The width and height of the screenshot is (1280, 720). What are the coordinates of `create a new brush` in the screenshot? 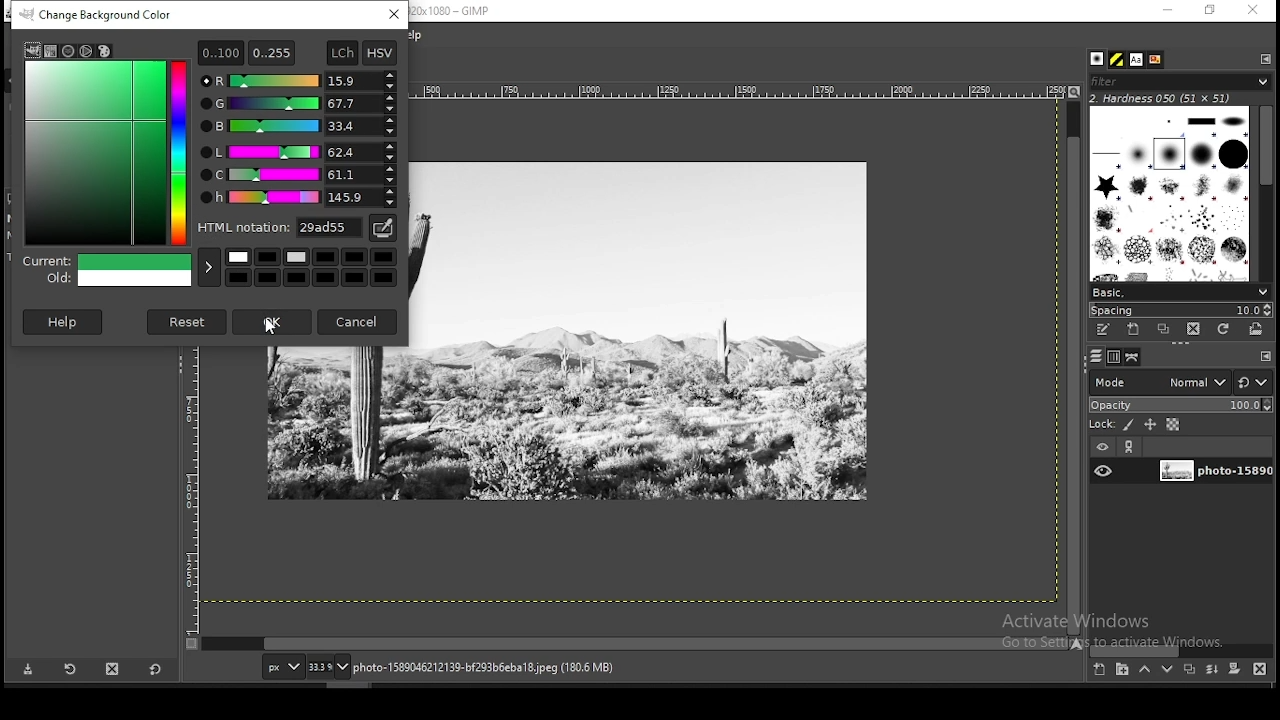 It's located at (1136, 330).